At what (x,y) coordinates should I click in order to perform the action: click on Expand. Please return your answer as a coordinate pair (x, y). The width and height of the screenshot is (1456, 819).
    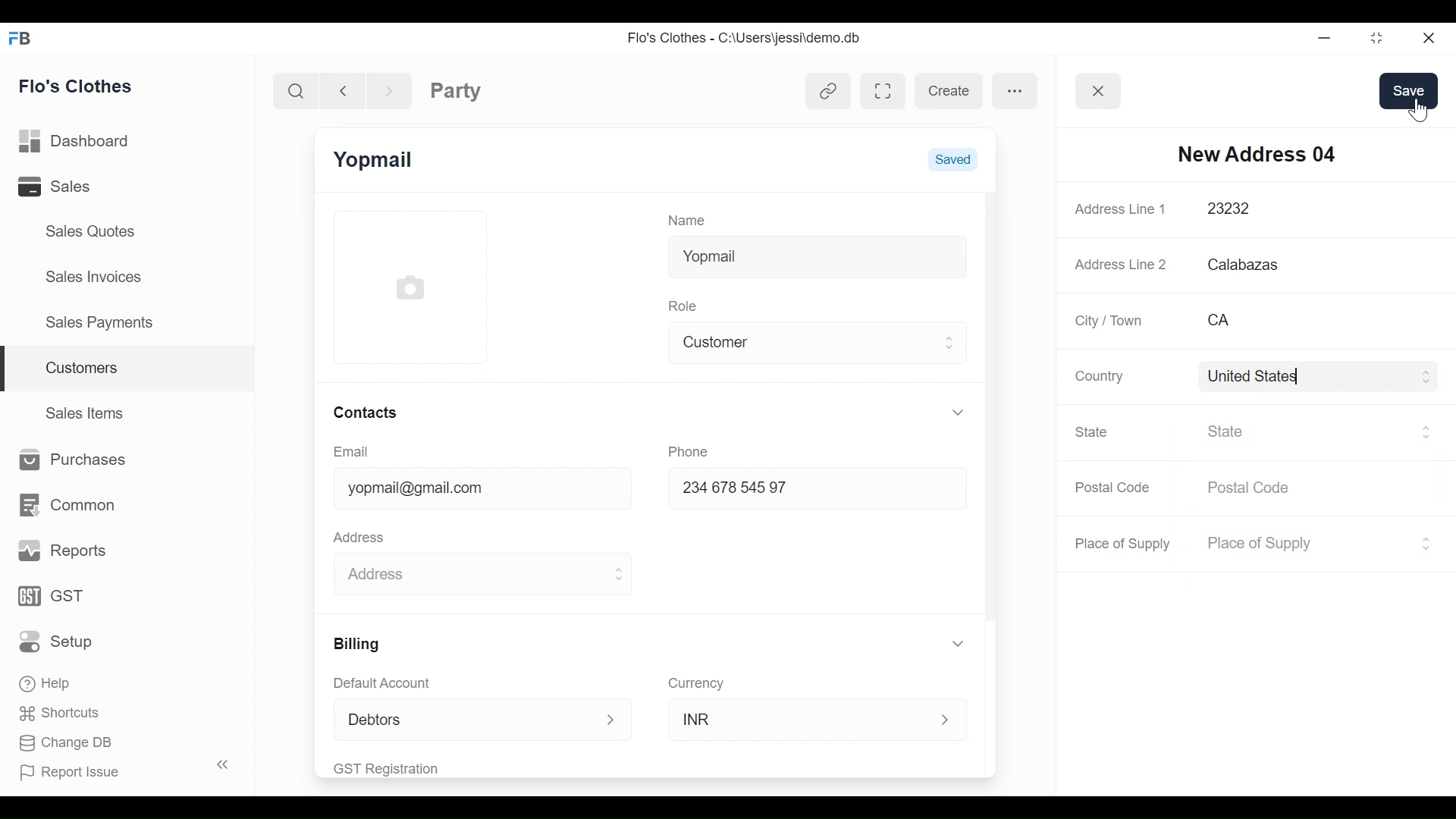
    Looking at the image, I should click on (1426, 377).